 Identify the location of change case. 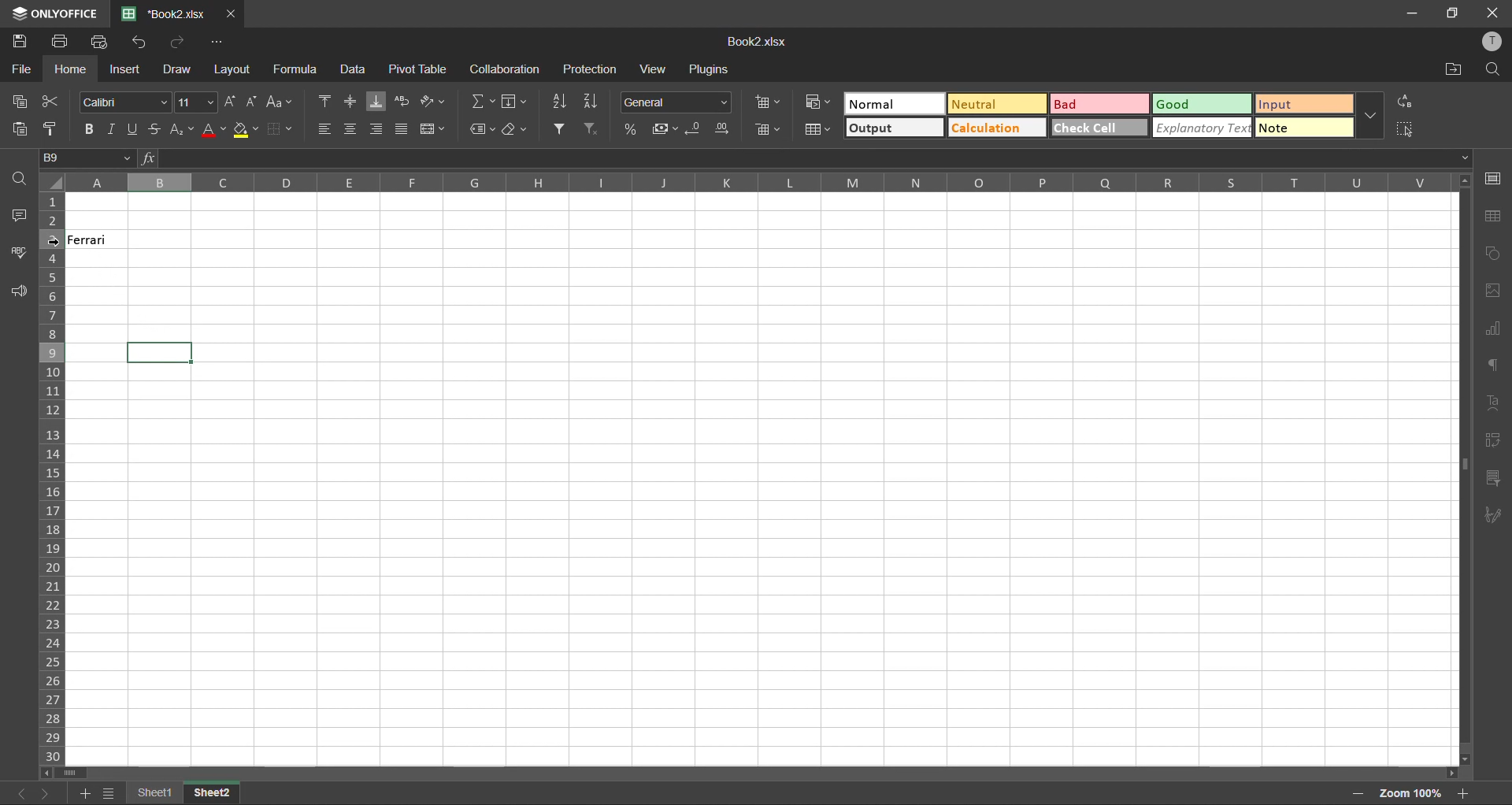
(282, 101).